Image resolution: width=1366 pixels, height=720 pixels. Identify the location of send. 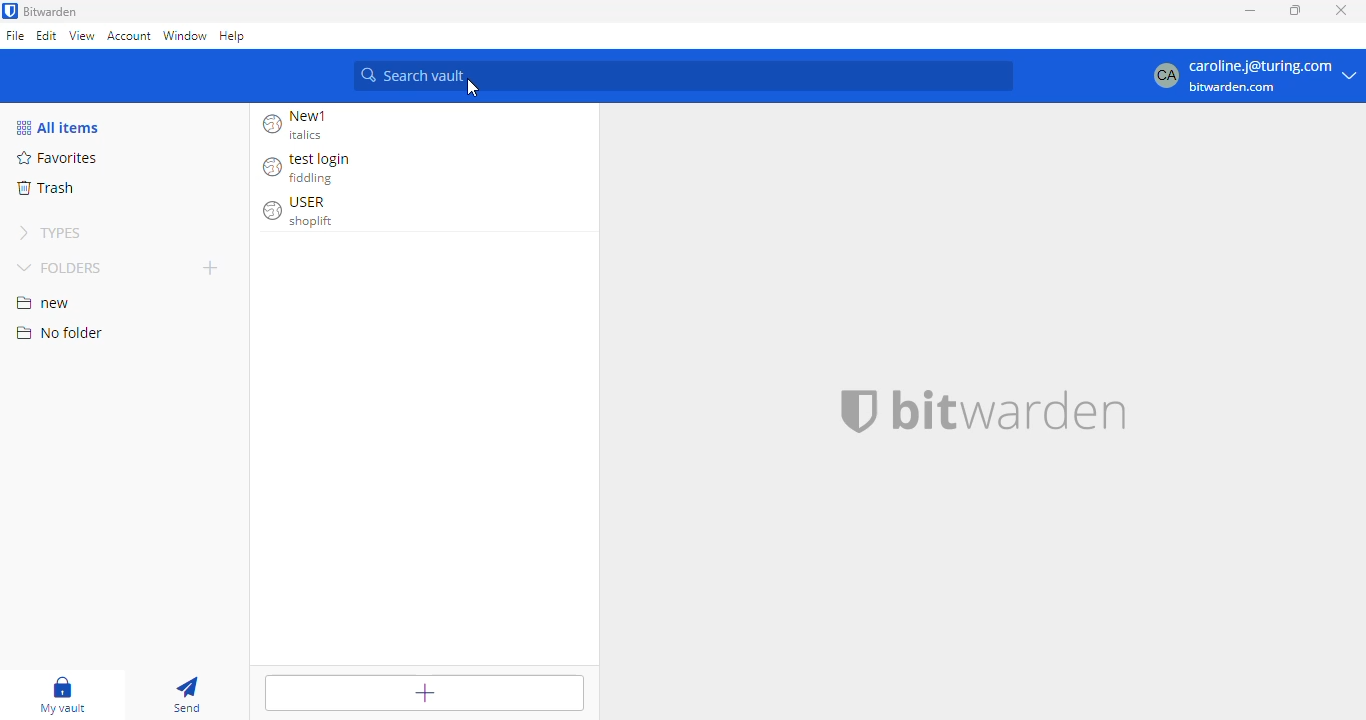
(189, 696).